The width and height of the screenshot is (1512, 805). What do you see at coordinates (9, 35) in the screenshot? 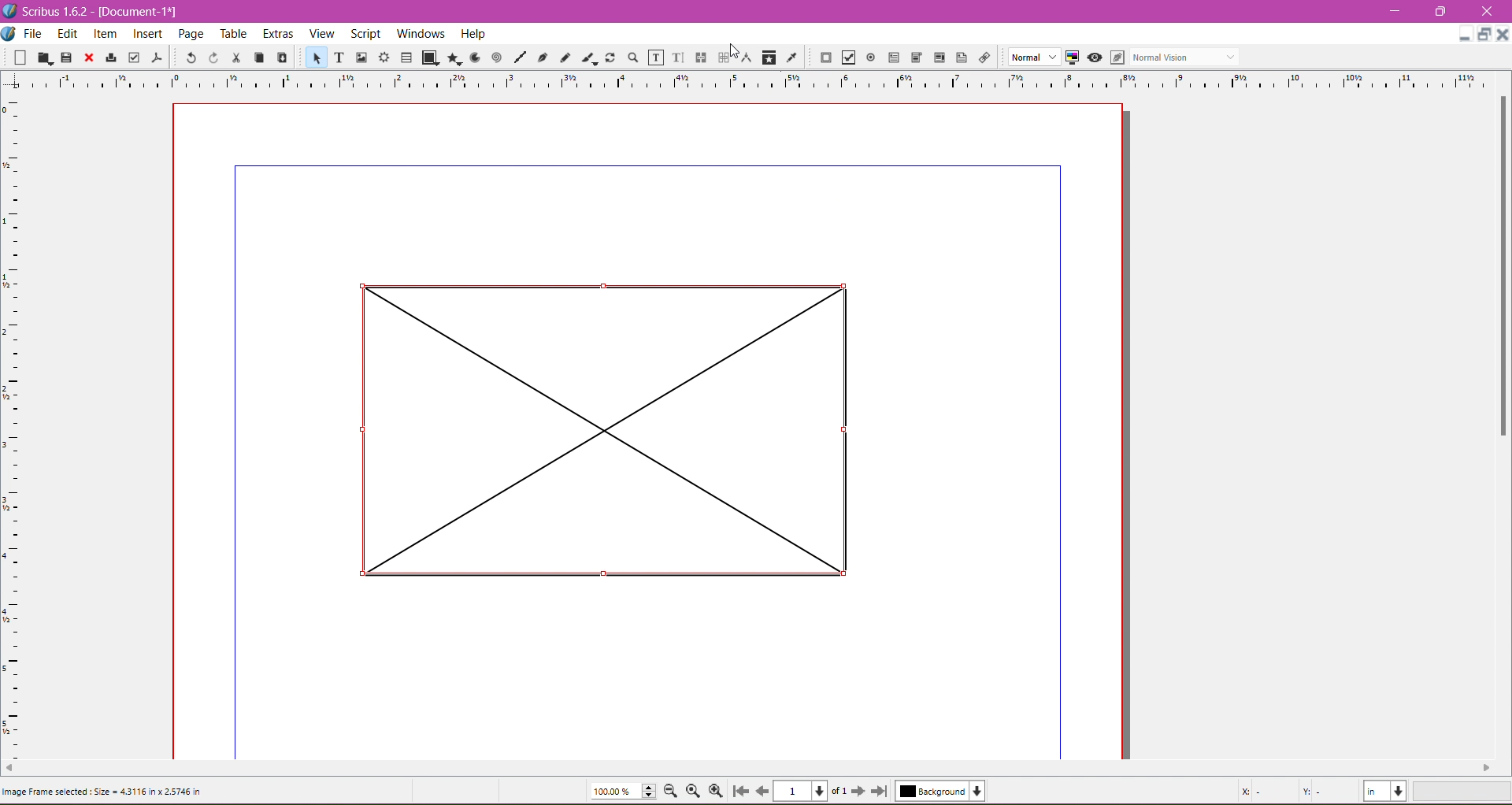
I see `Document` at bounding box center [9, 35].